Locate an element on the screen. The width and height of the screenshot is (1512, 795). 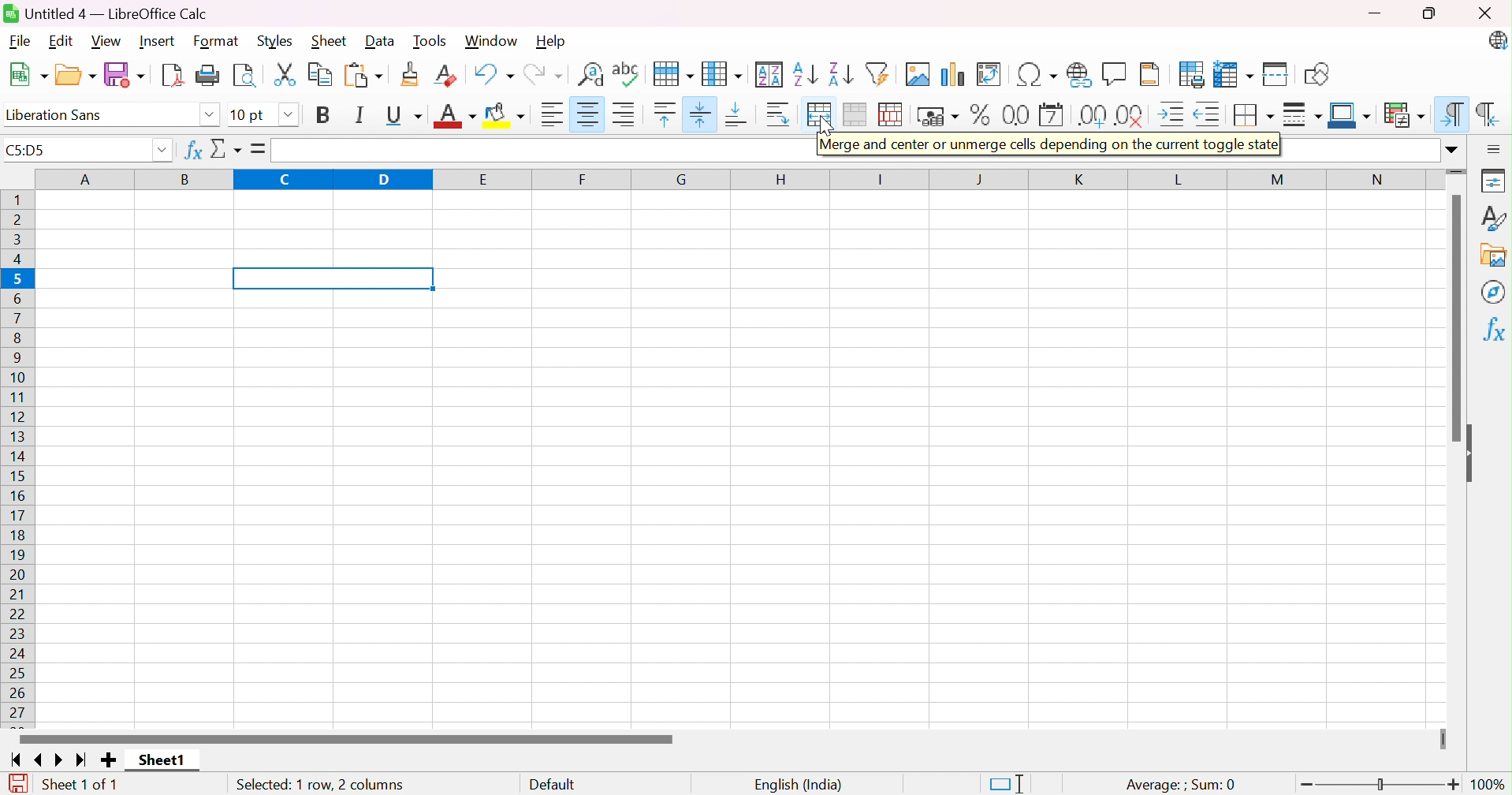
Format as Number is located at coordinates (1015, 114).